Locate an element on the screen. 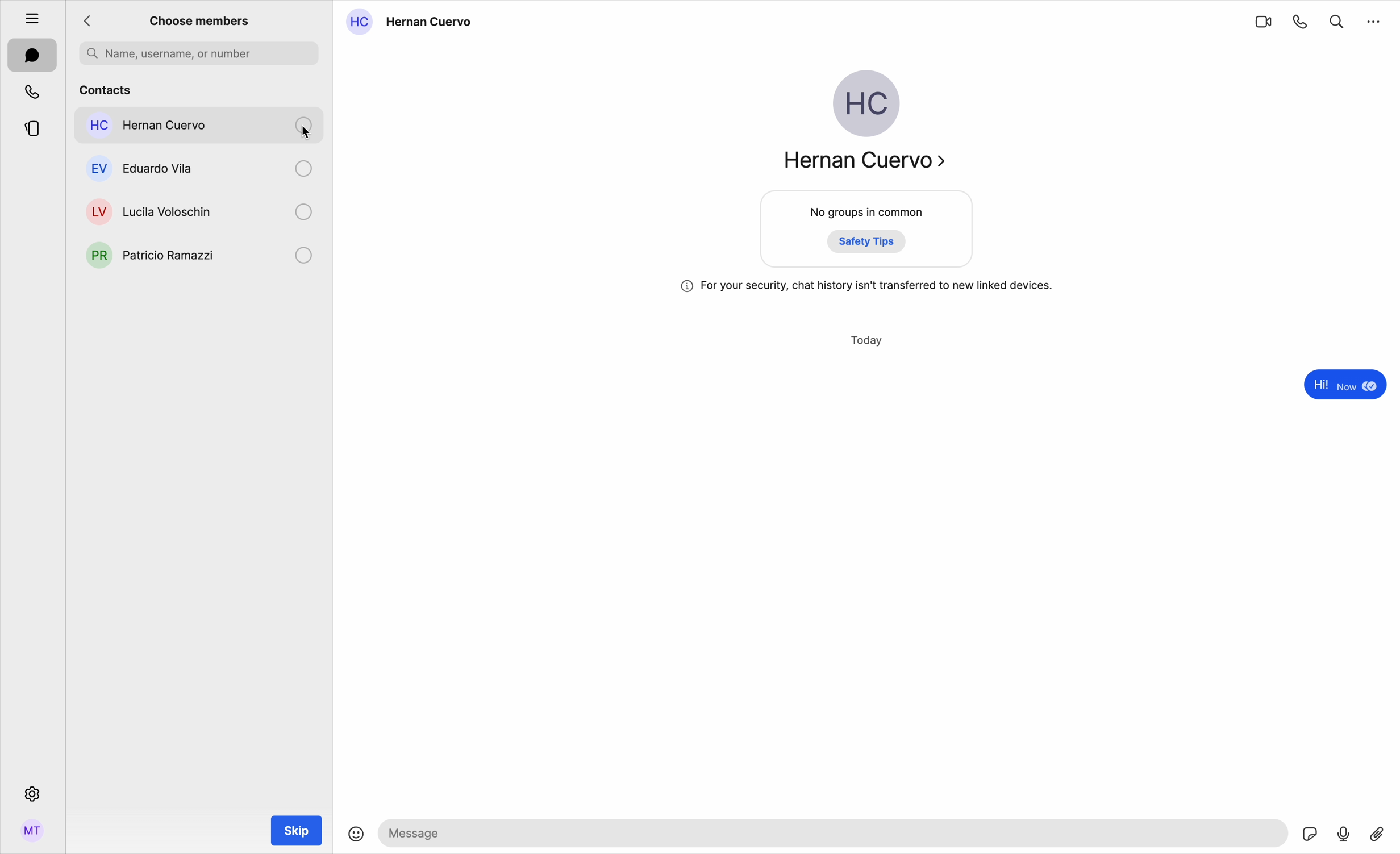 This screenshot has height=854, width=1400. skip button is located at coordinates (297, 831).